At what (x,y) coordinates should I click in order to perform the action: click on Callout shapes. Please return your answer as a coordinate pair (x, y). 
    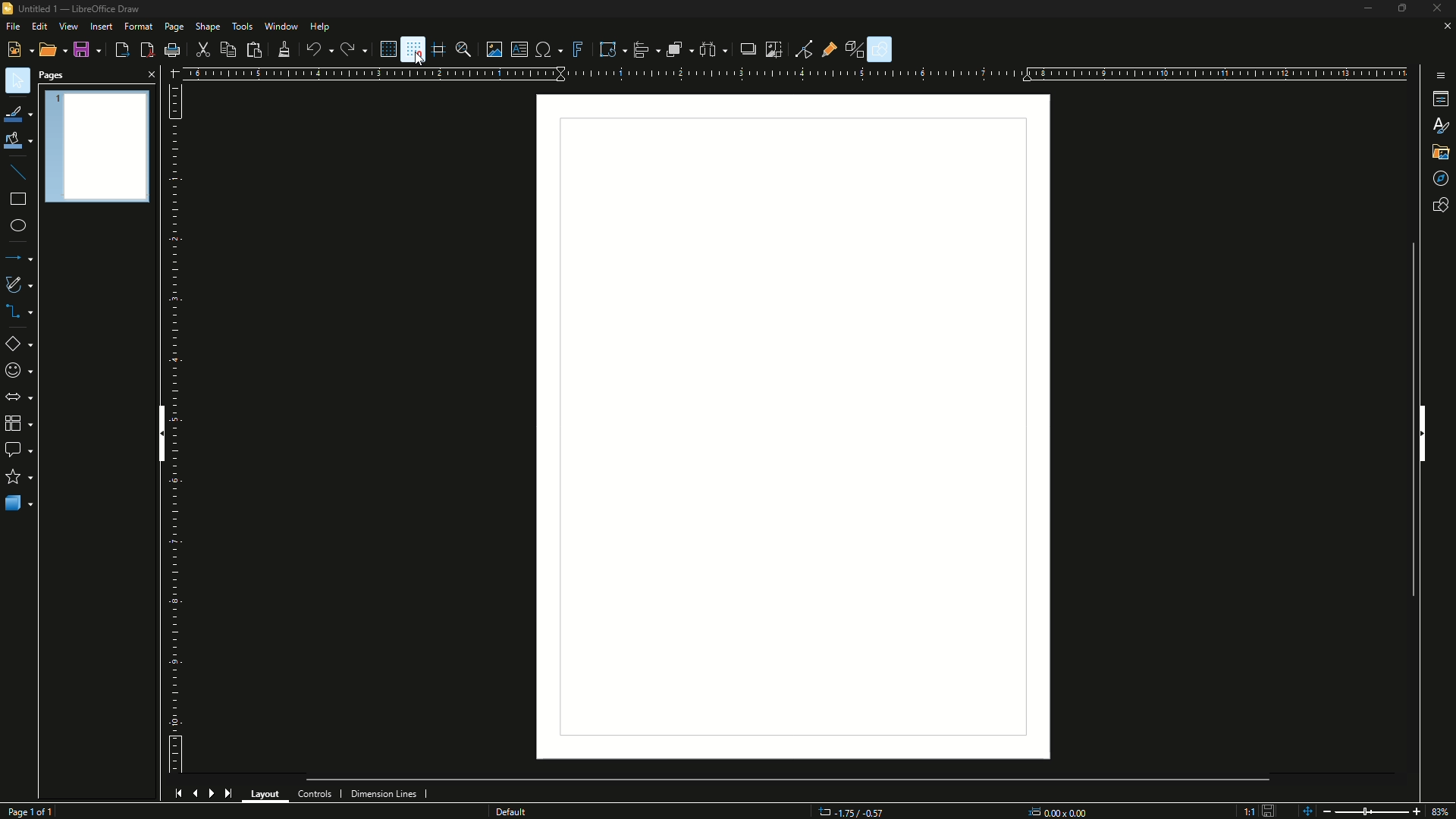
    Looking at the image, I should click on (28, 450).